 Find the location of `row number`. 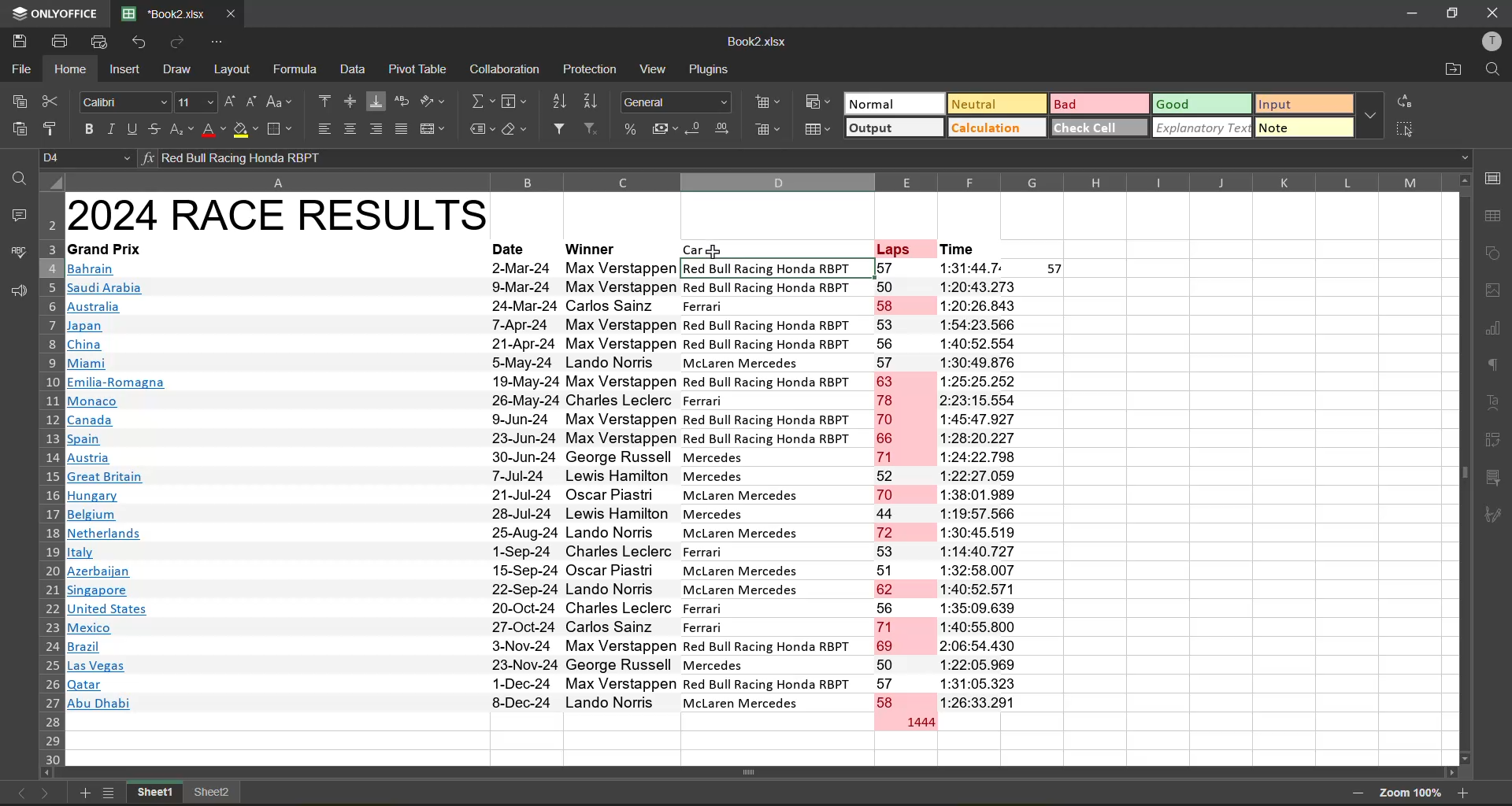

row number is located at coordinates (48, 479).